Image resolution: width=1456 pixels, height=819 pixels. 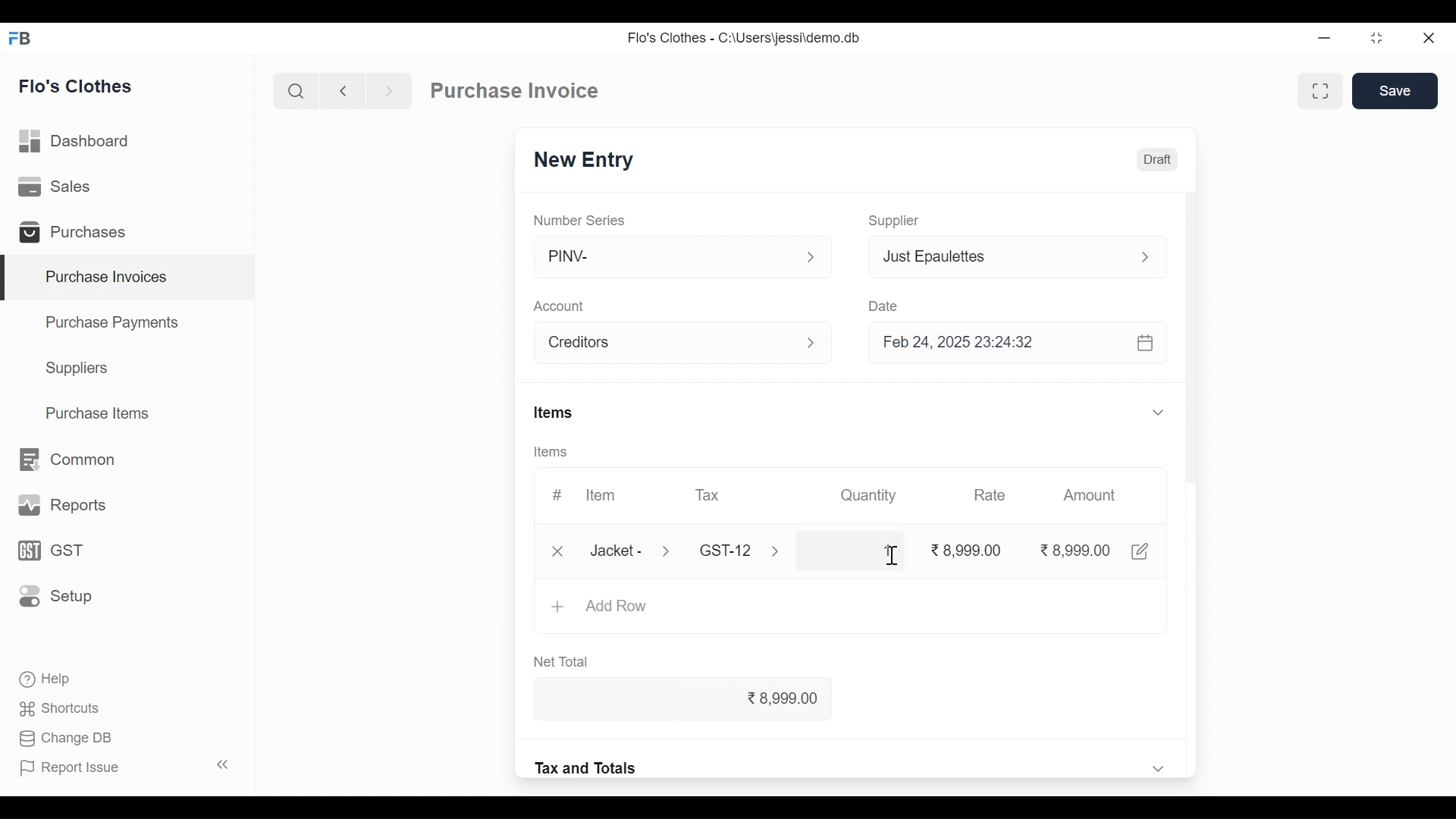 What do you see at coordinates (70, 459) in the screenshot?
I see `Common` at bounding box center [70, 459].